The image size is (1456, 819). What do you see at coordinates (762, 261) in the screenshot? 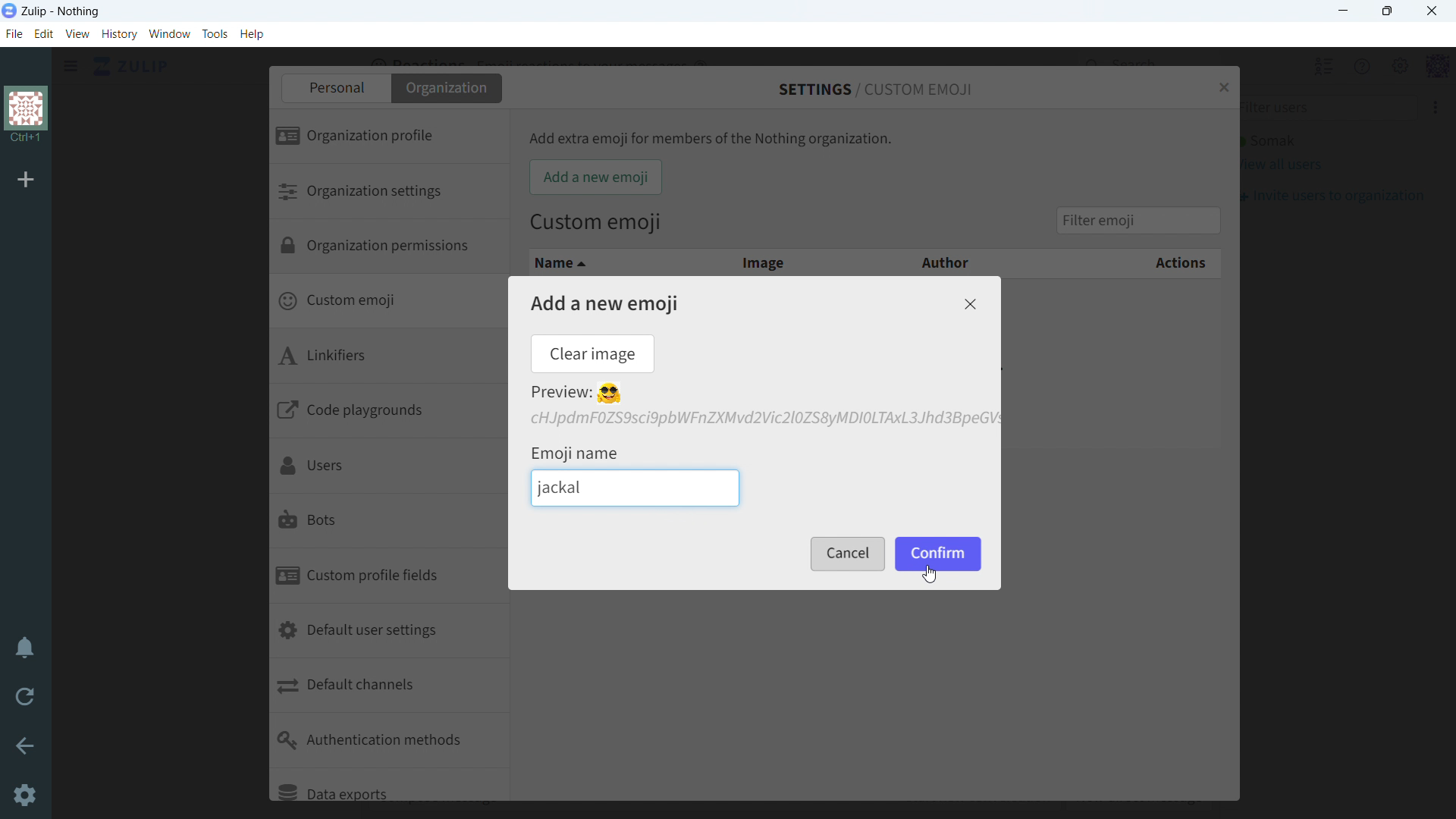
I see `image` at bounding box center [762, 261].